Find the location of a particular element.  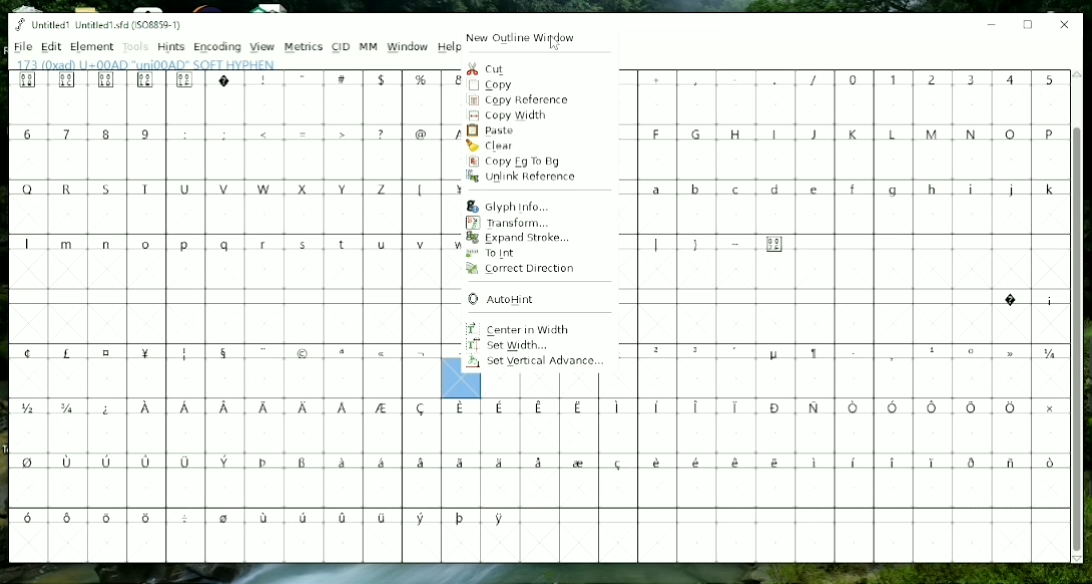

Symbols is located at coordinates (721, 243).